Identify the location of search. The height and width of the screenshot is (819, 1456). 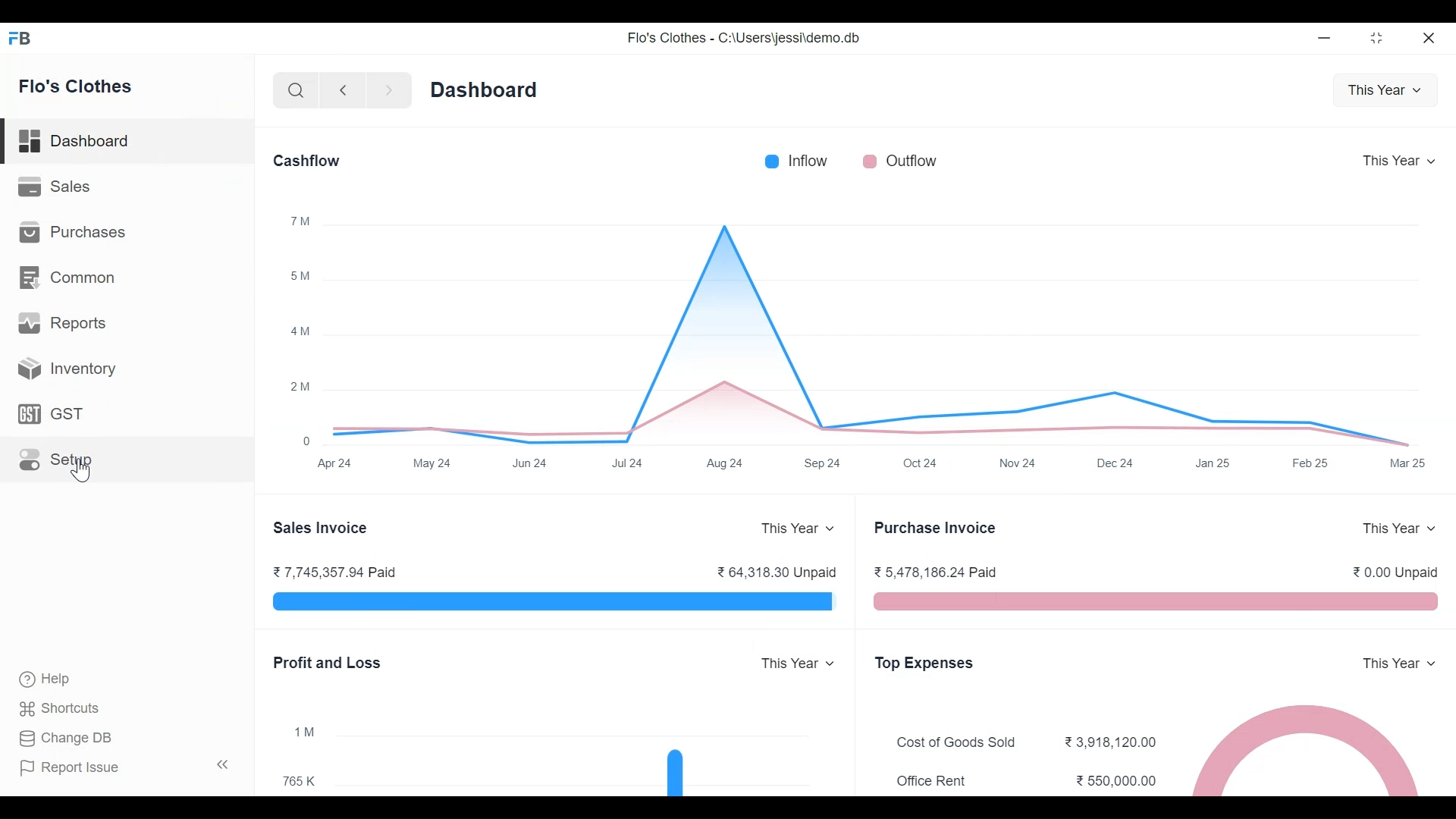
(296, 91).